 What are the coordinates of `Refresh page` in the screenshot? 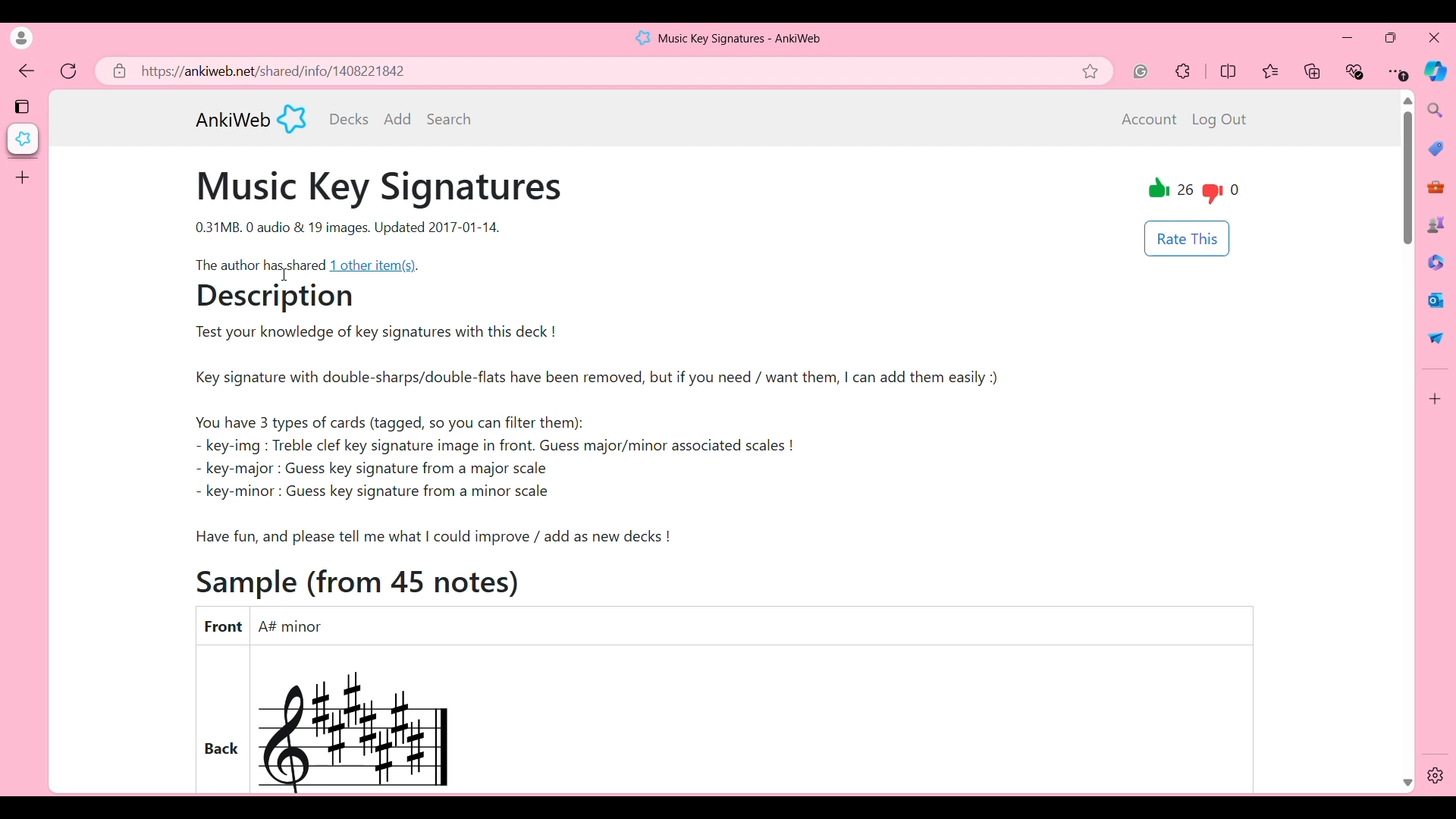 It's located at (69, 71).